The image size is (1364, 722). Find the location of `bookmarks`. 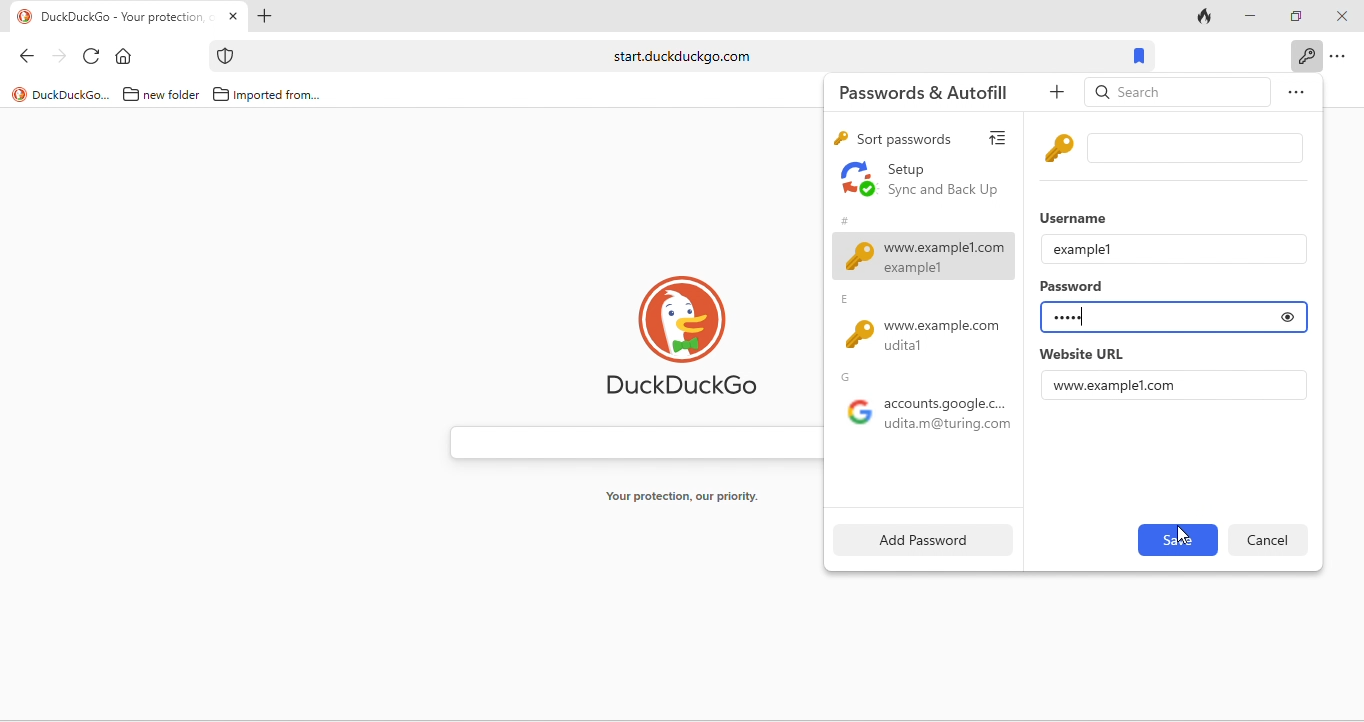

bookmarks is located at coordinates (1141, 55).